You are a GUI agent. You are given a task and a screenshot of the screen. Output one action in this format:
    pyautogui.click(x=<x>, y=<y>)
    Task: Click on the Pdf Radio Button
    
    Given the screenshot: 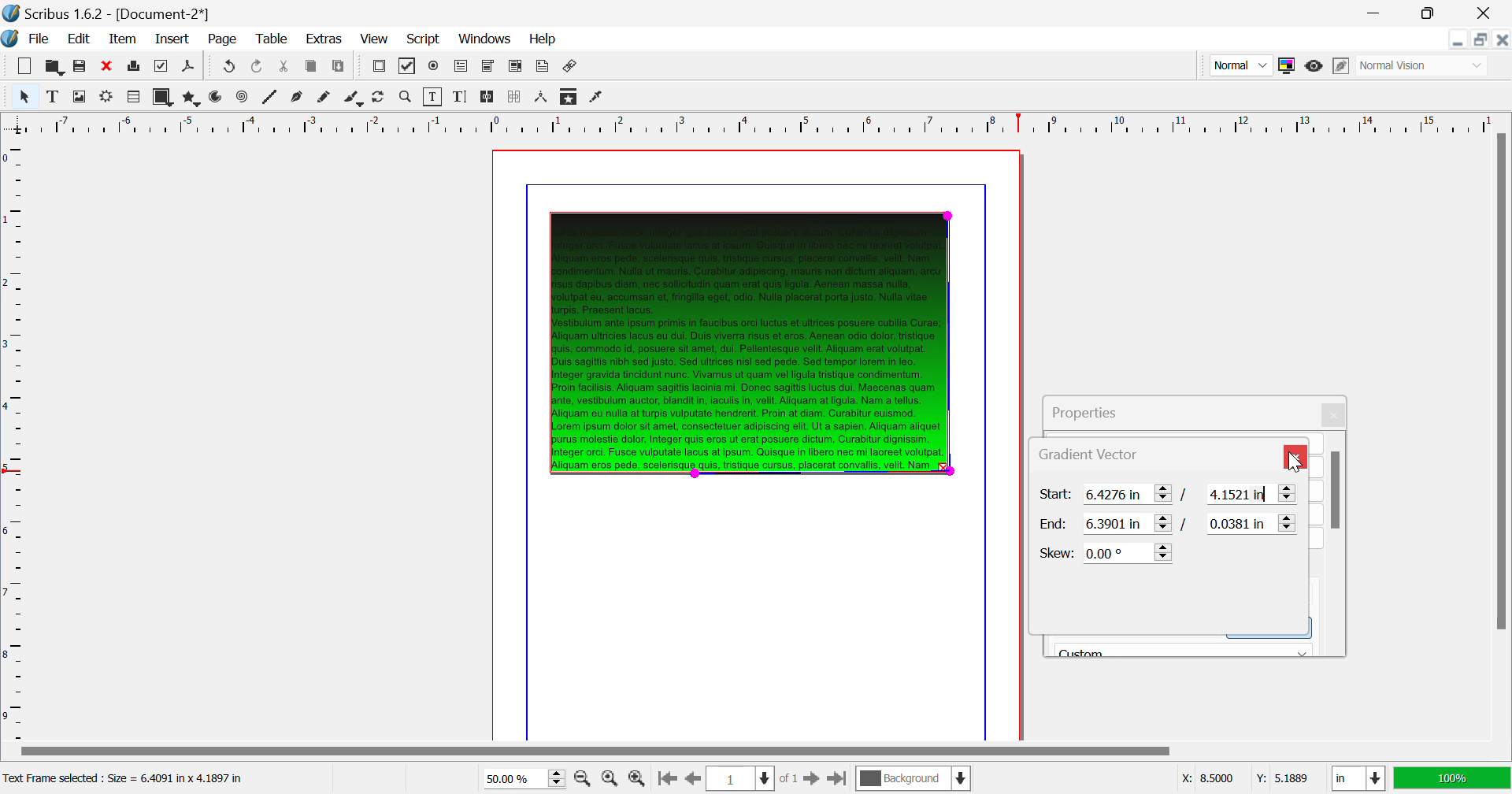 What is the action you would take?
    pyautogui.click(x=434, y=68)
    